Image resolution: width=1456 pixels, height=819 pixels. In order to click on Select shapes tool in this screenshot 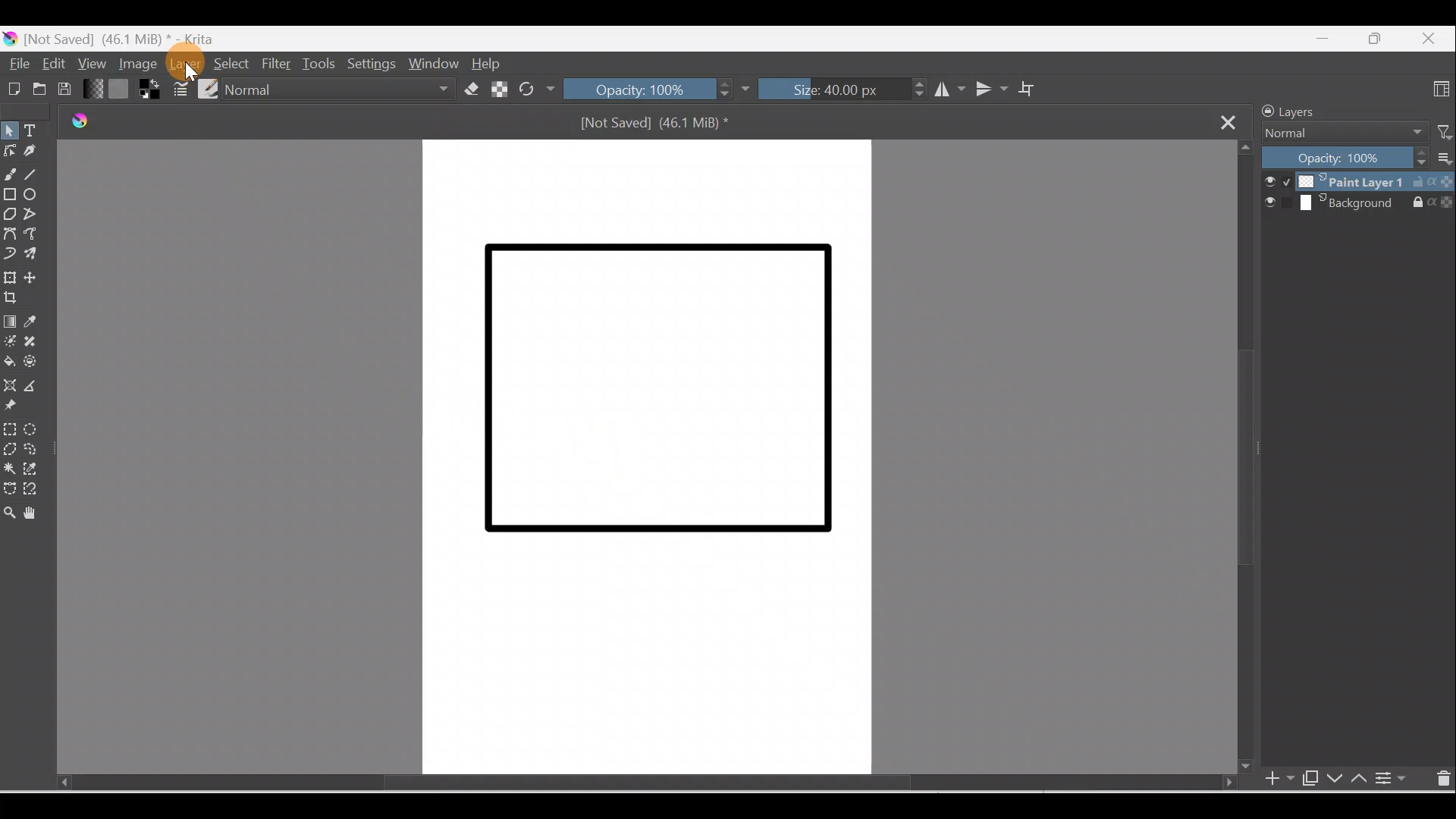, I will do `click(12, 130)`.